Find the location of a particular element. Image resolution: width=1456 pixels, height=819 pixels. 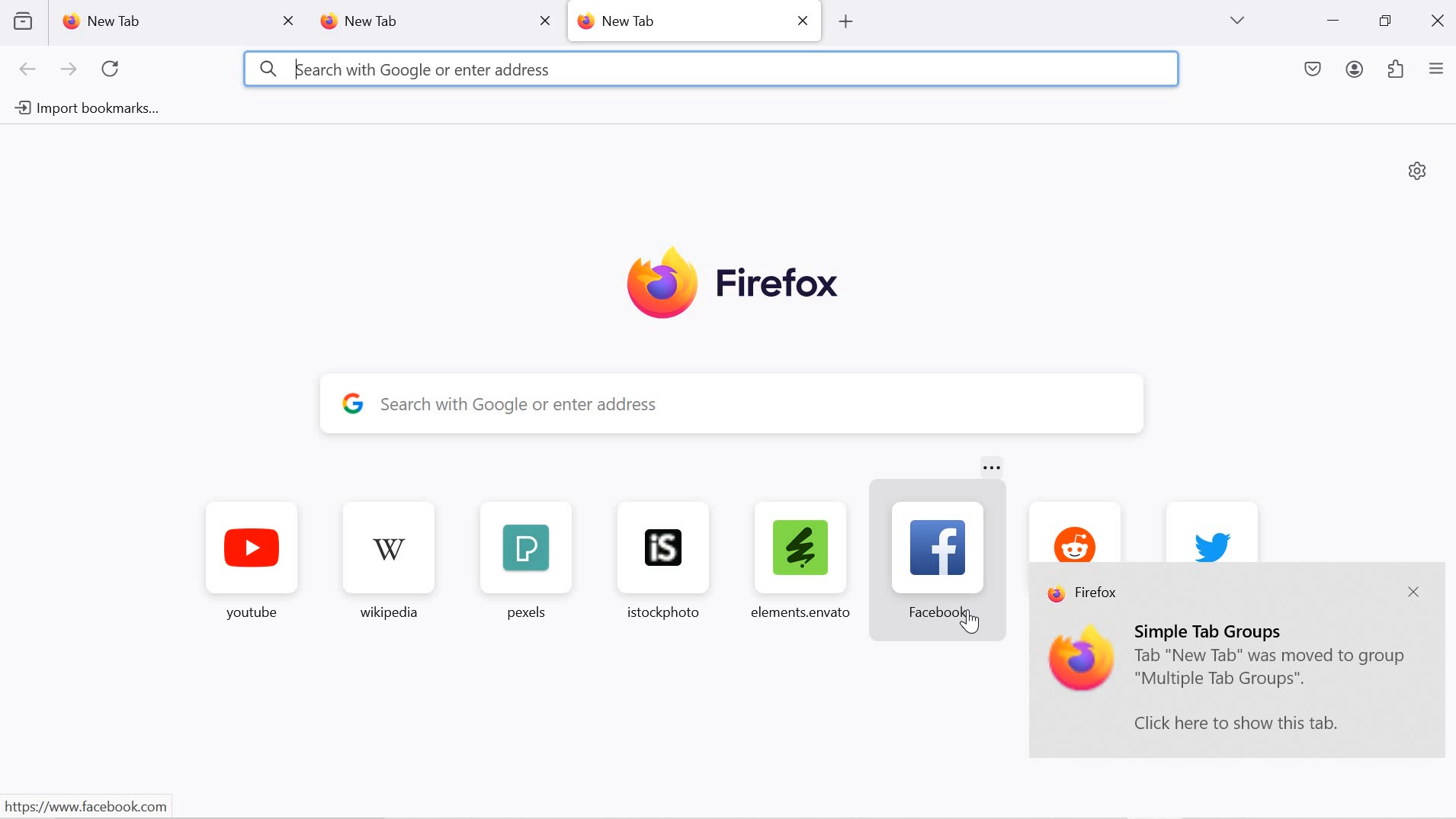

istockphoto favorite is located at coordinates (656, 560).